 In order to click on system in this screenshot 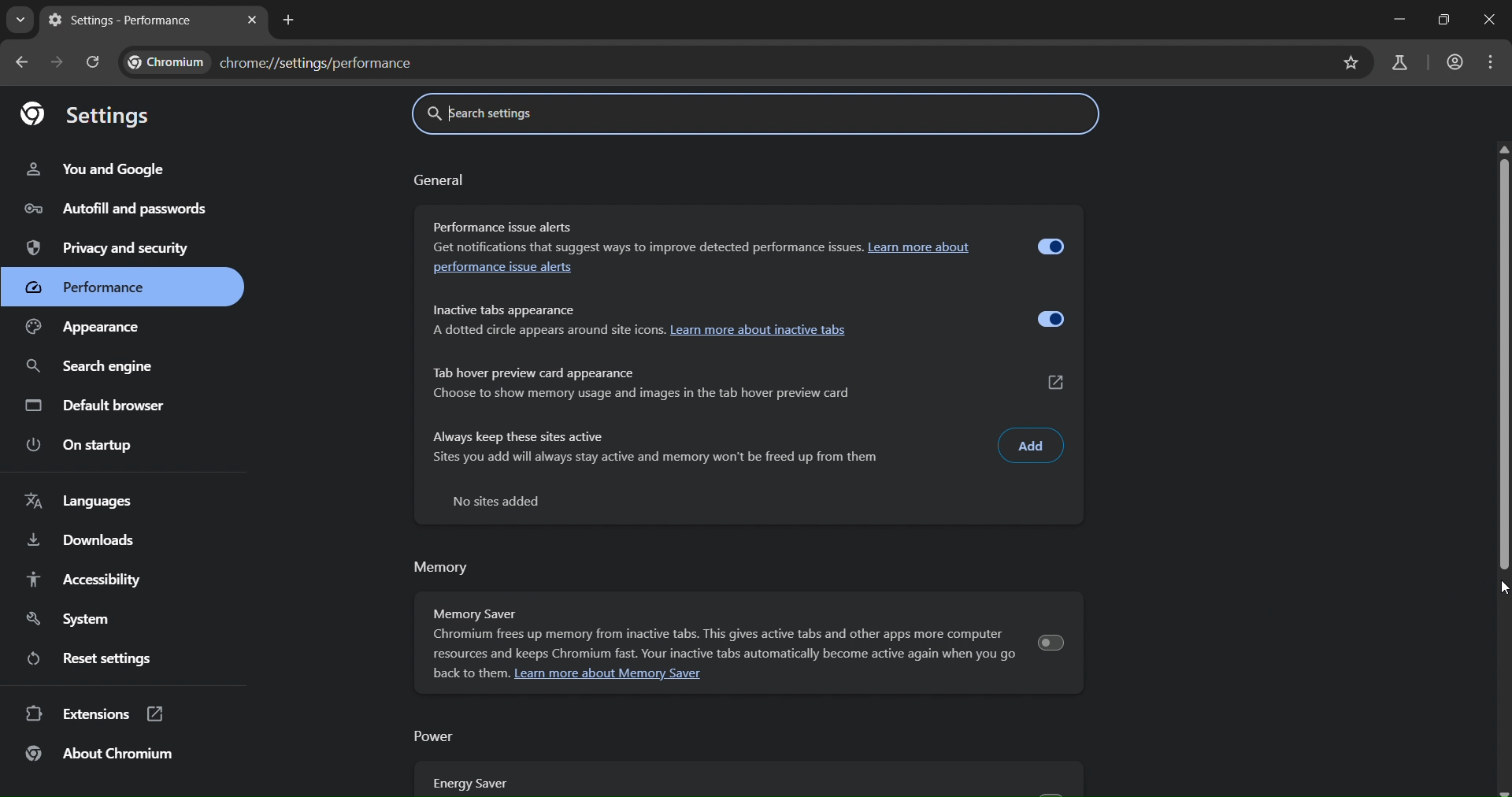, I will do `click(75, 619)`.